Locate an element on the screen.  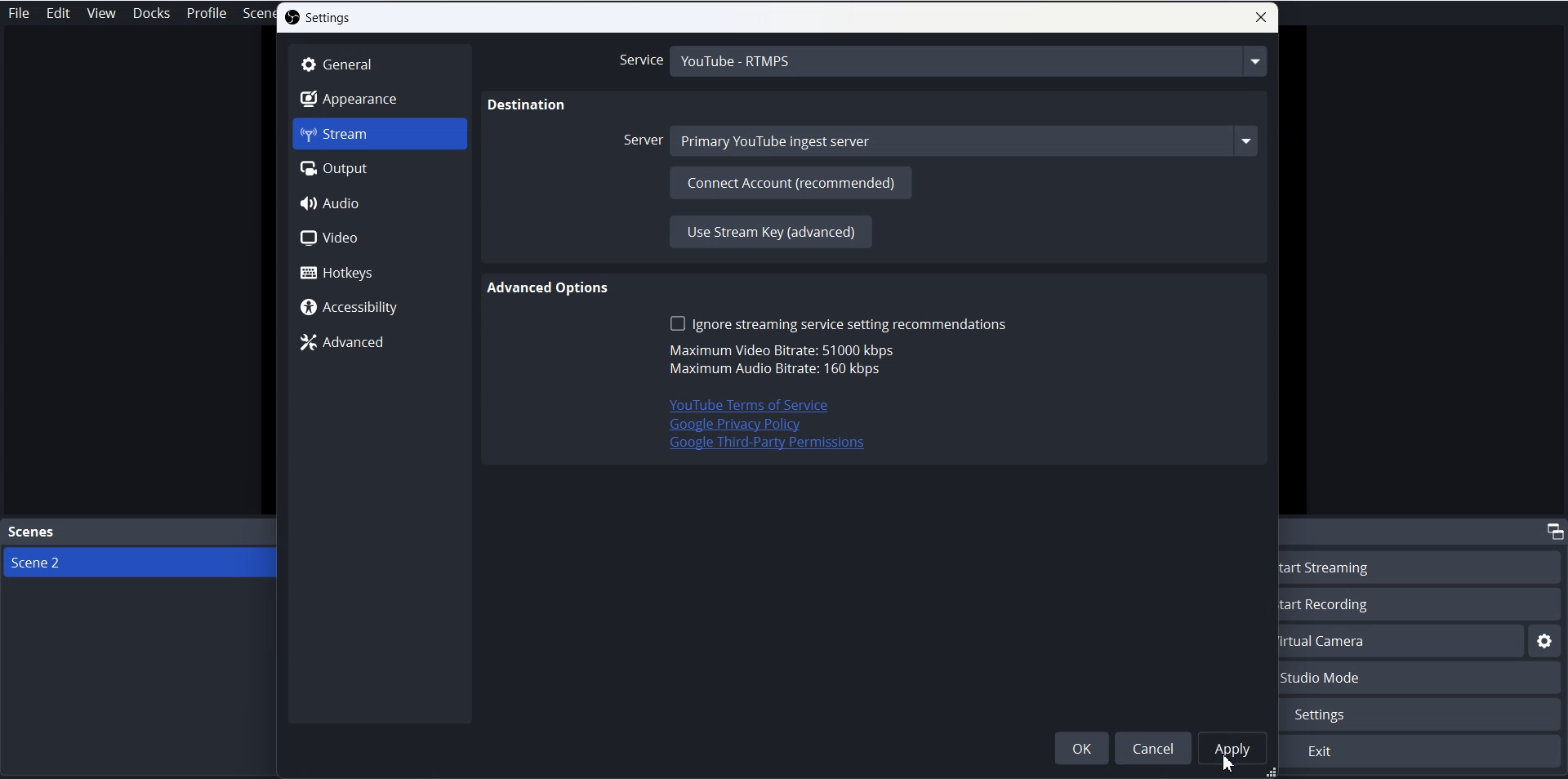
Settings is located at coordinates (1424, 714).